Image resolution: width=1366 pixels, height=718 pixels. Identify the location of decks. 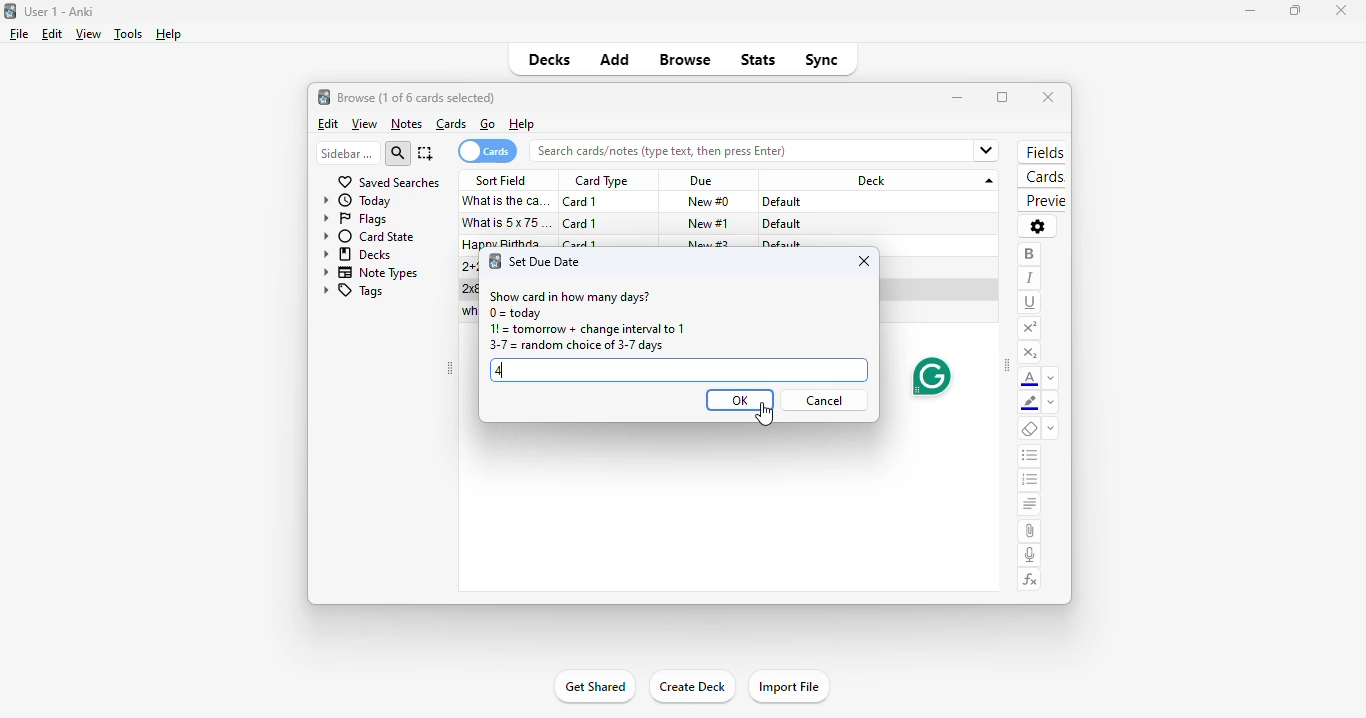
(358, 254).